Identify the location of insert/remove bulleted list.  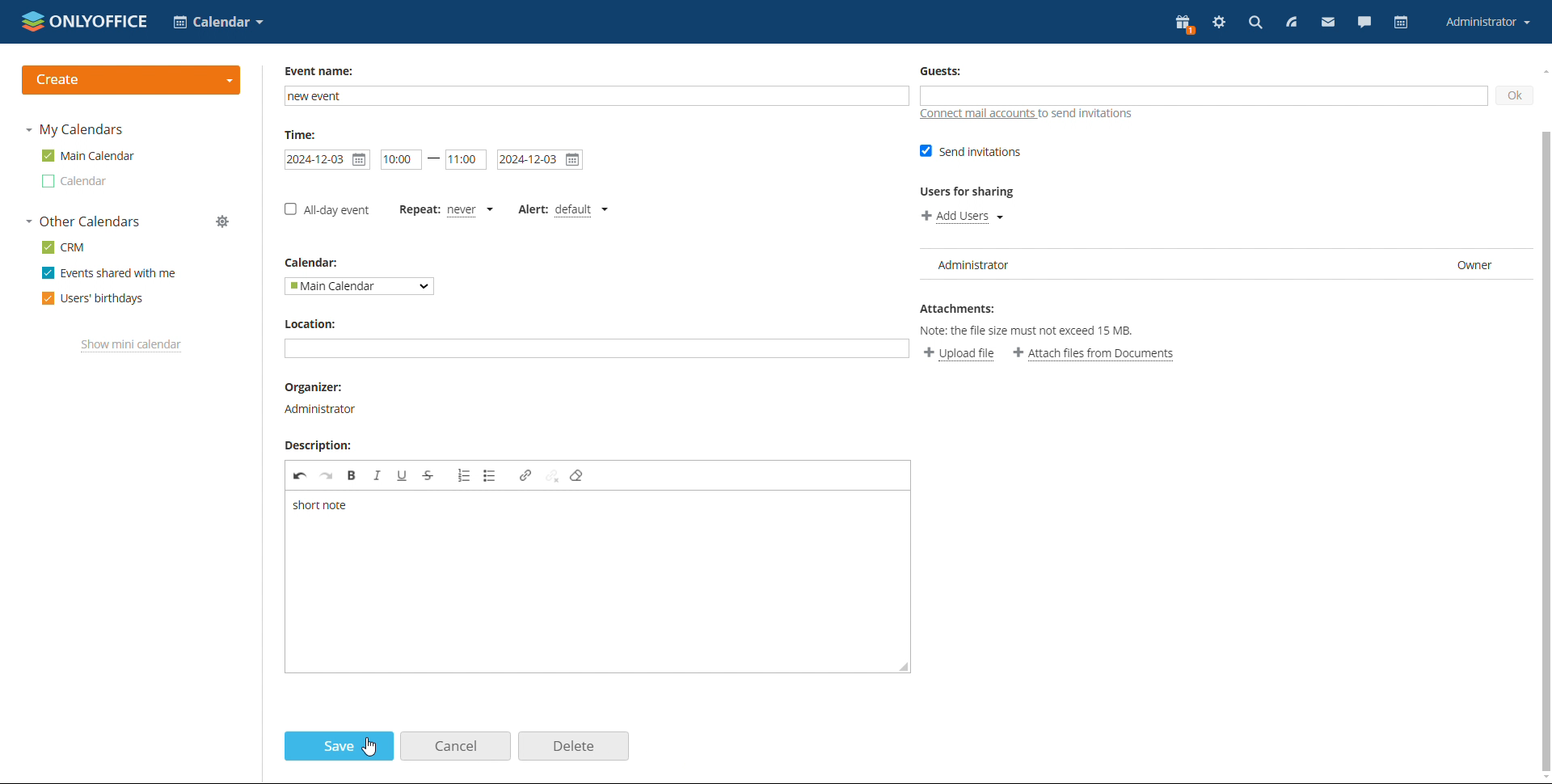
(489, 475).